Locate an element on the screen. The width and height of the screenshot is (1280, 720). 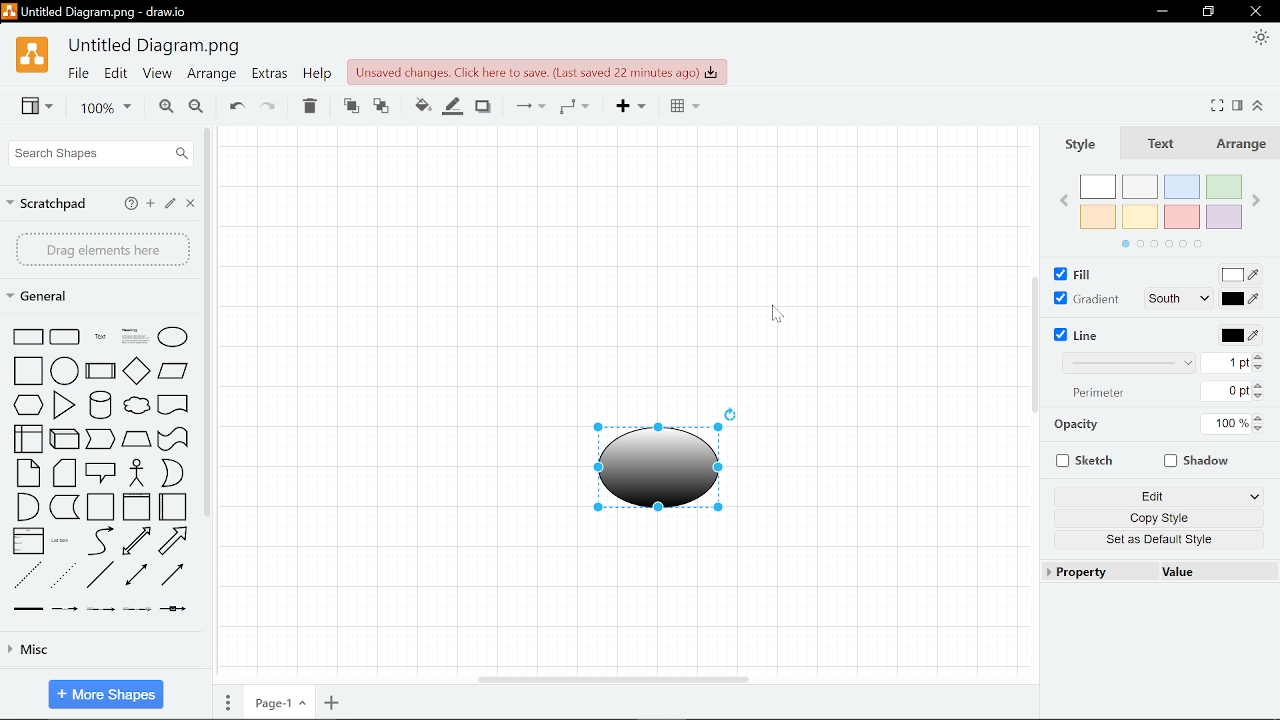
Redo is located at coordinates (268, 104).